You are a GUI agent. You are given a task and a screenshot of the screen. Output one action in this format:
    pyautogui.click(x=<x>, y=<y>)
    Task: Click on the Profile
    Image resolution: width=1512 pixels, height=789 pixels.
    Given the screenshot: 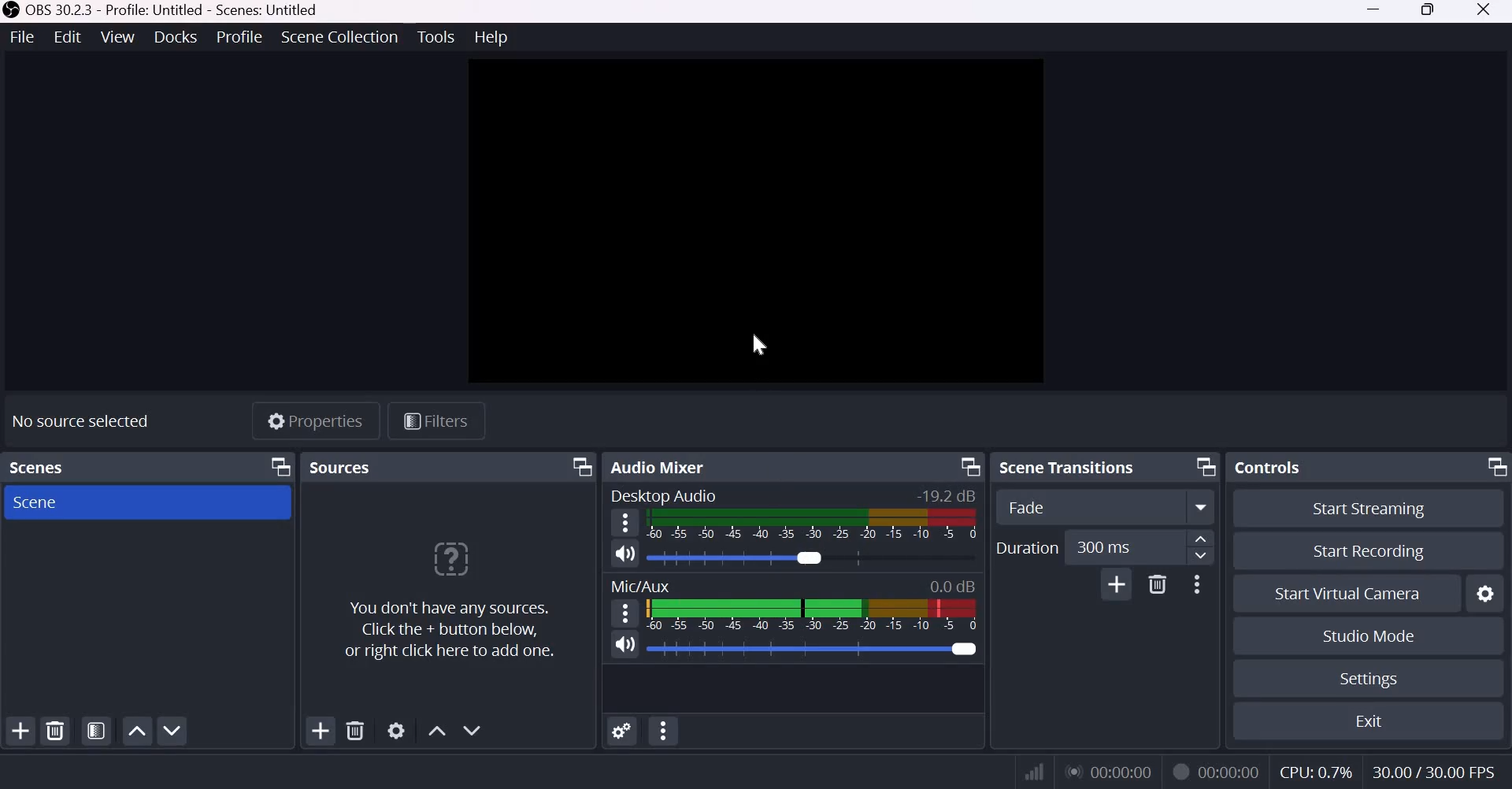 What is the action you would take?
    pyautogui.click(x=241, y=37)
    